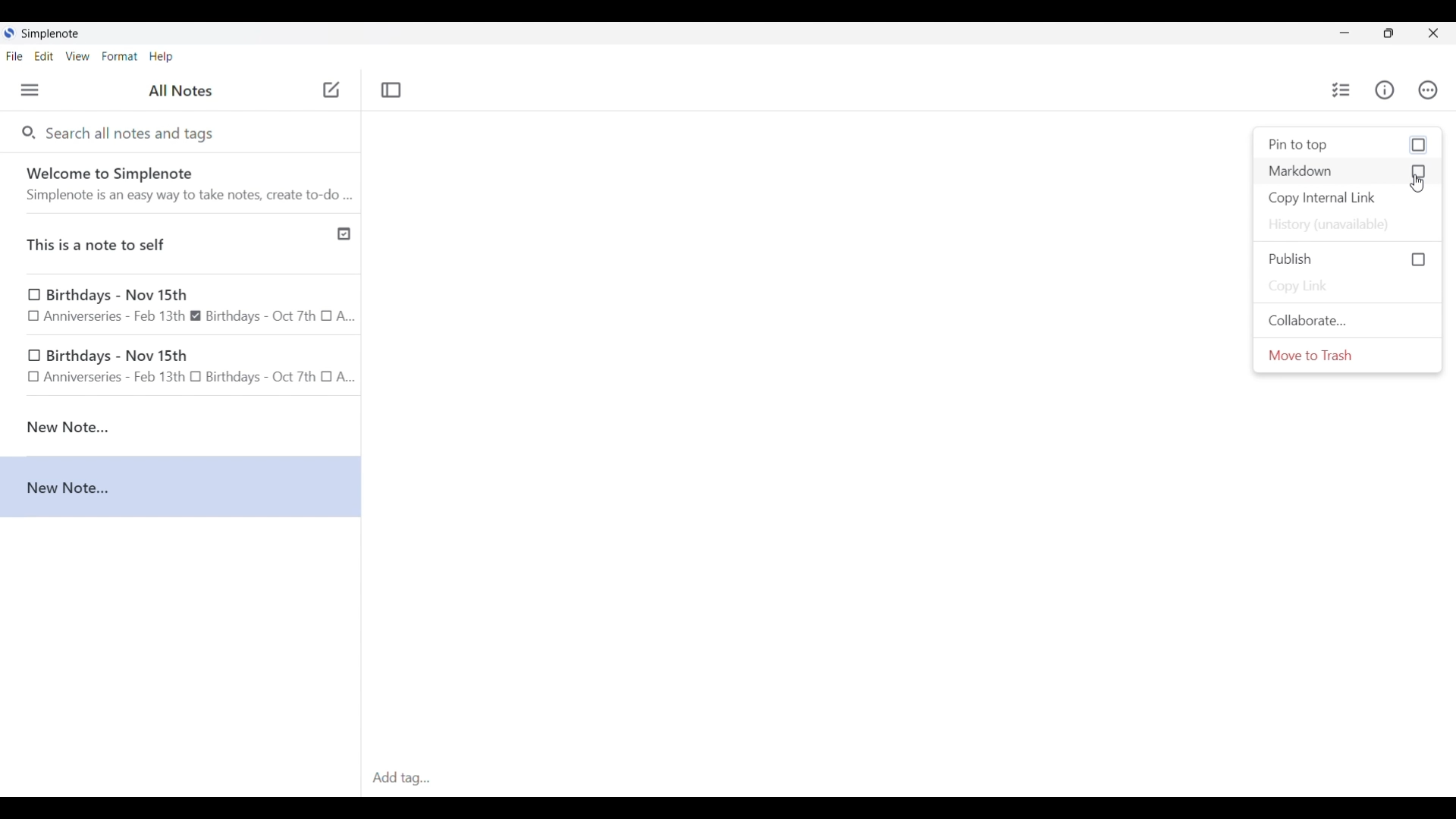 The height and width of the screenshot is (819, 1456). What do you see at coordinates (182, 244) in the screenshot?
I see `Published note indicated by check icon` at bounding box center [182, 244].